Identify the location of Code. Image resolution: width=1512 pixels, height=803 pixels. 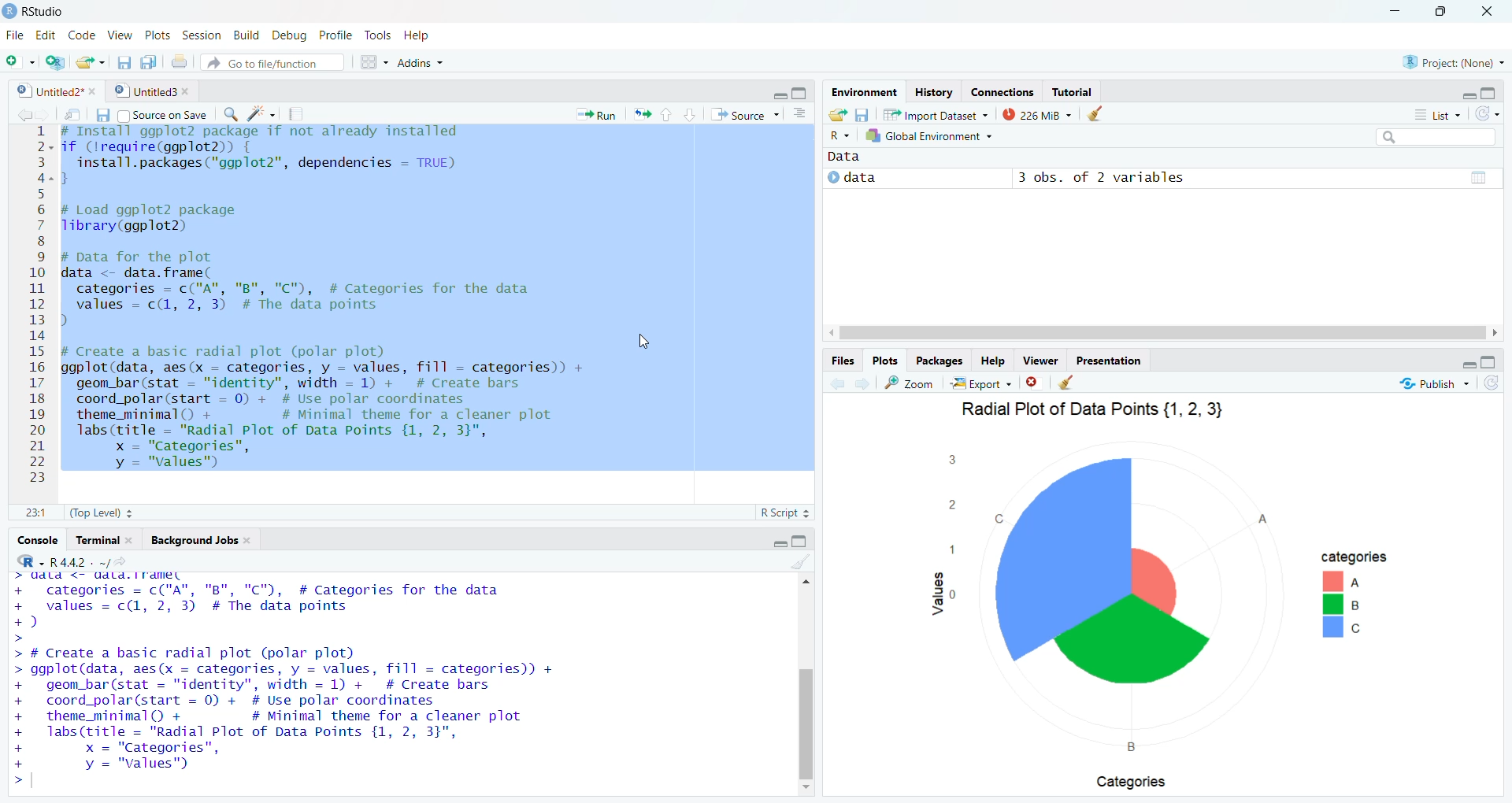
(79, 36).